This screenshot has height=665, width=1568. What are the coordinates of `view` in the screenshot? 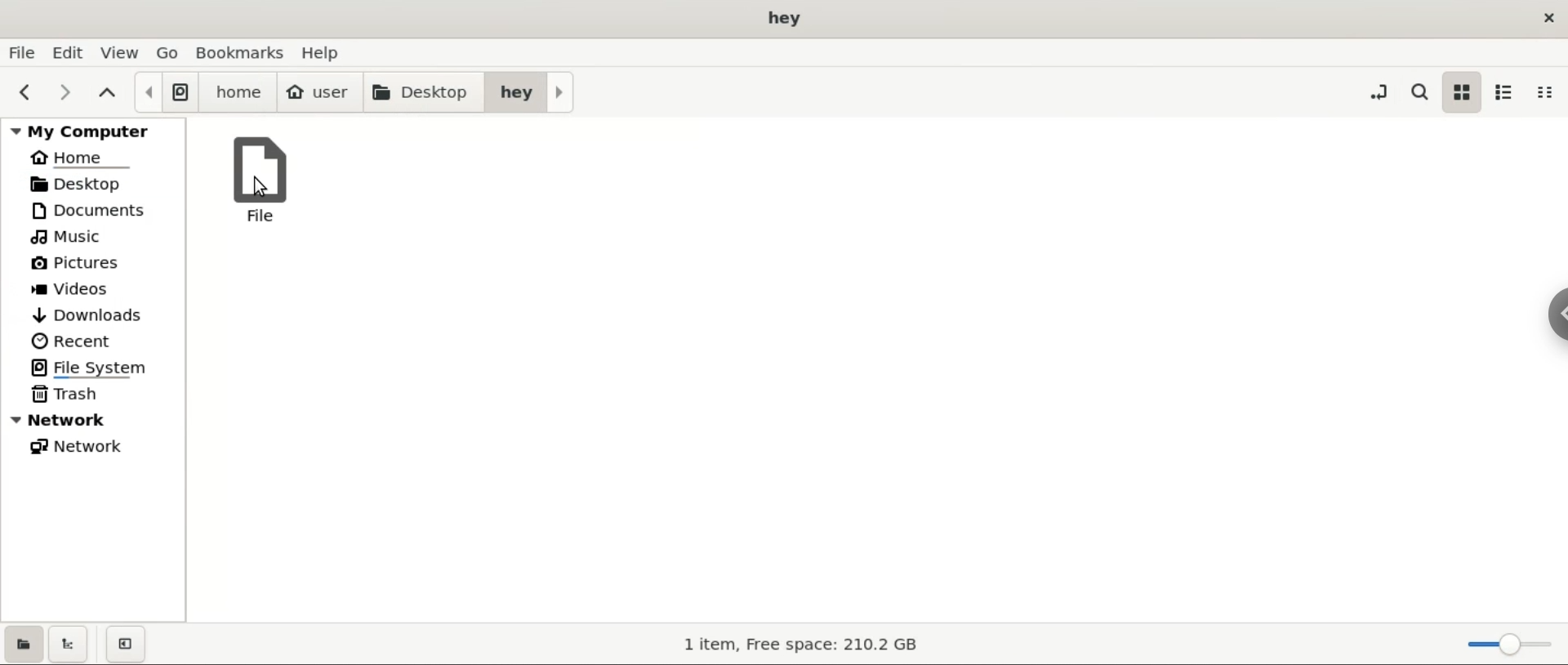 It's located at (122, 51).